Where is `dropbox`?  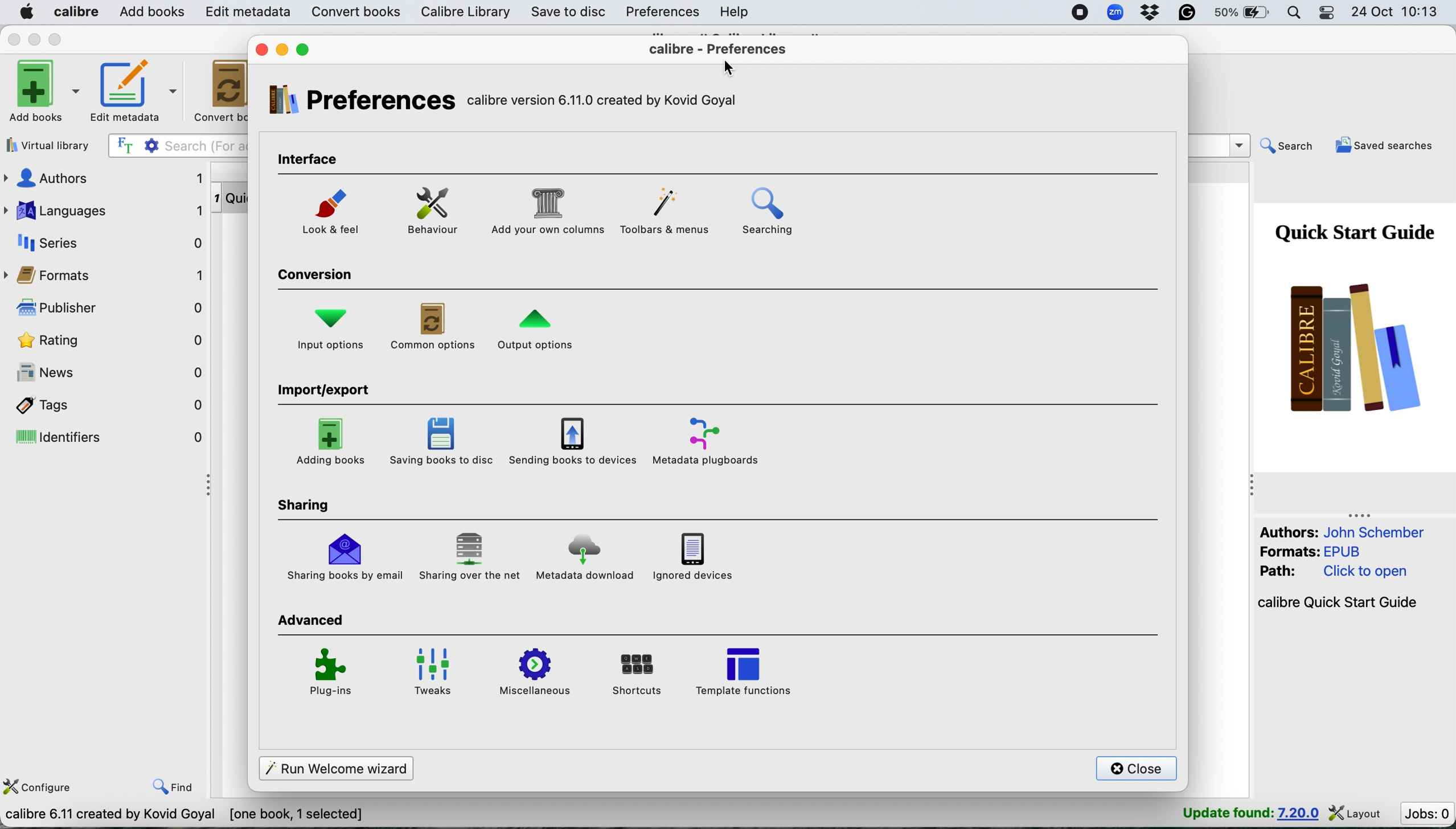 dropbox is located at coordinates (1149, 13).